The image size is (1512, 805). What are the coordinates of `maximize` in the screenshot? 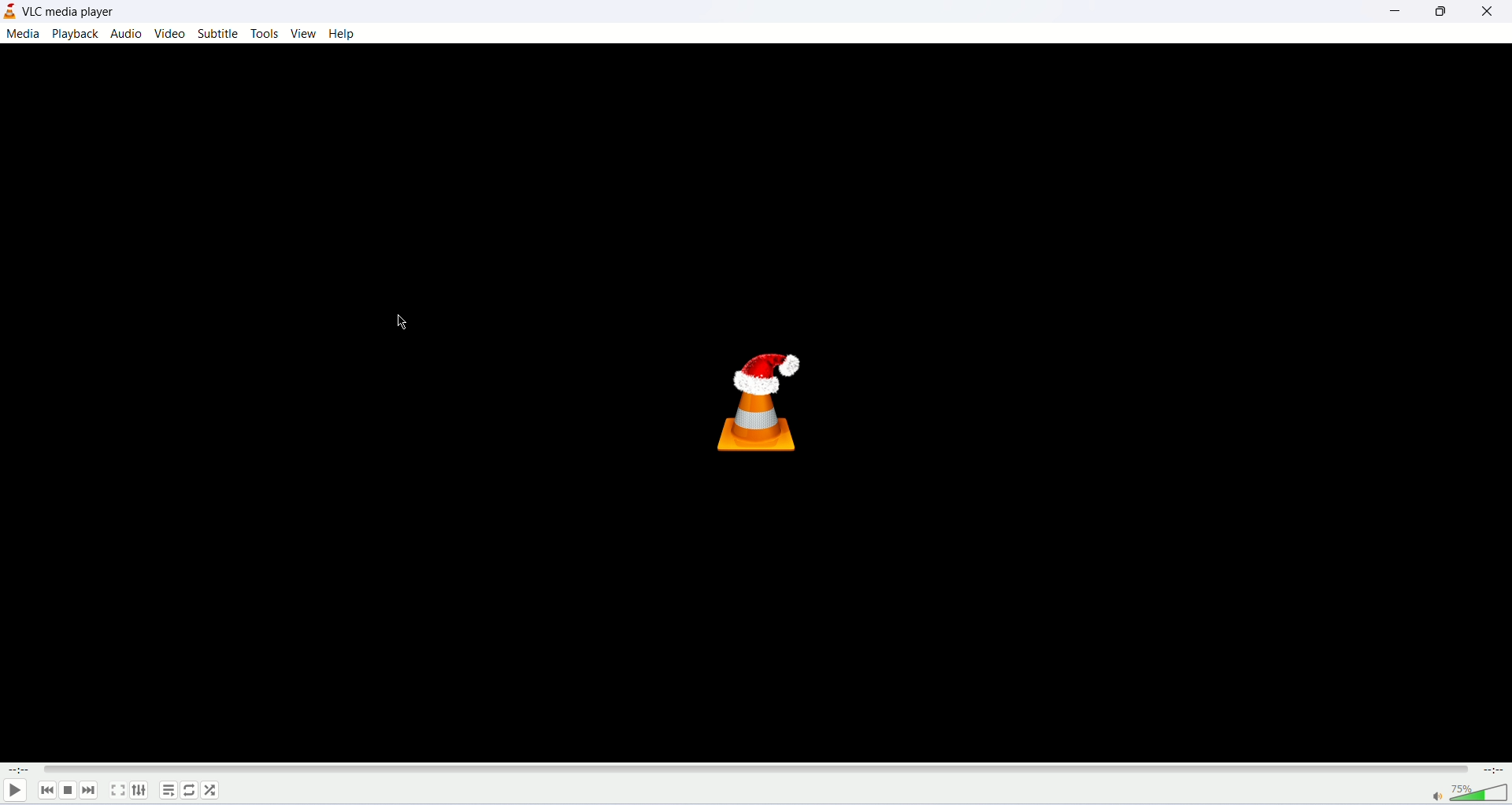 It's located at (1445, 11).